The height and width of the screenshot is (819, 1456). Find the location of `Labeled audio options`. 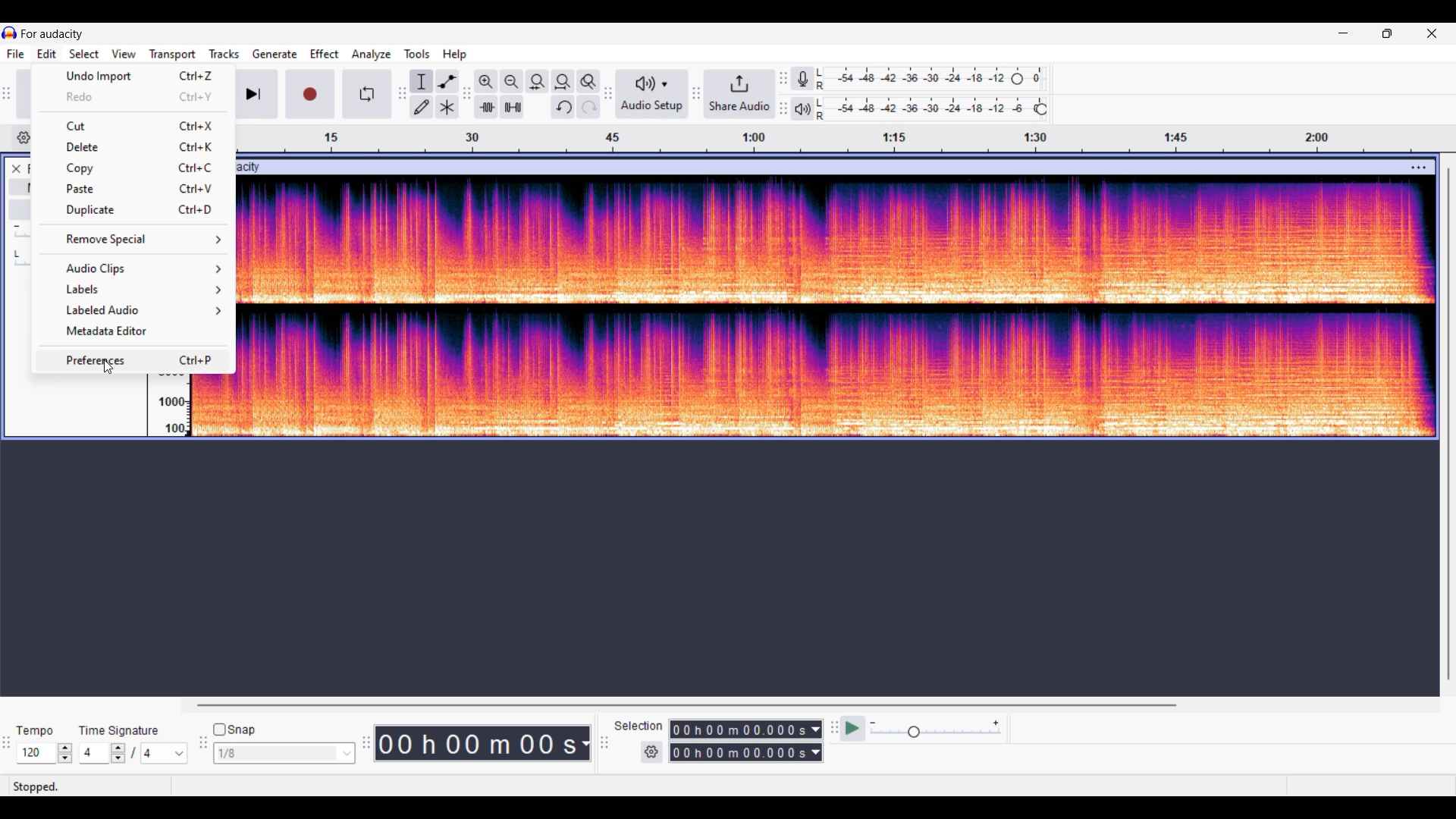

Labeled audio options is located at coordinates (136, 309).